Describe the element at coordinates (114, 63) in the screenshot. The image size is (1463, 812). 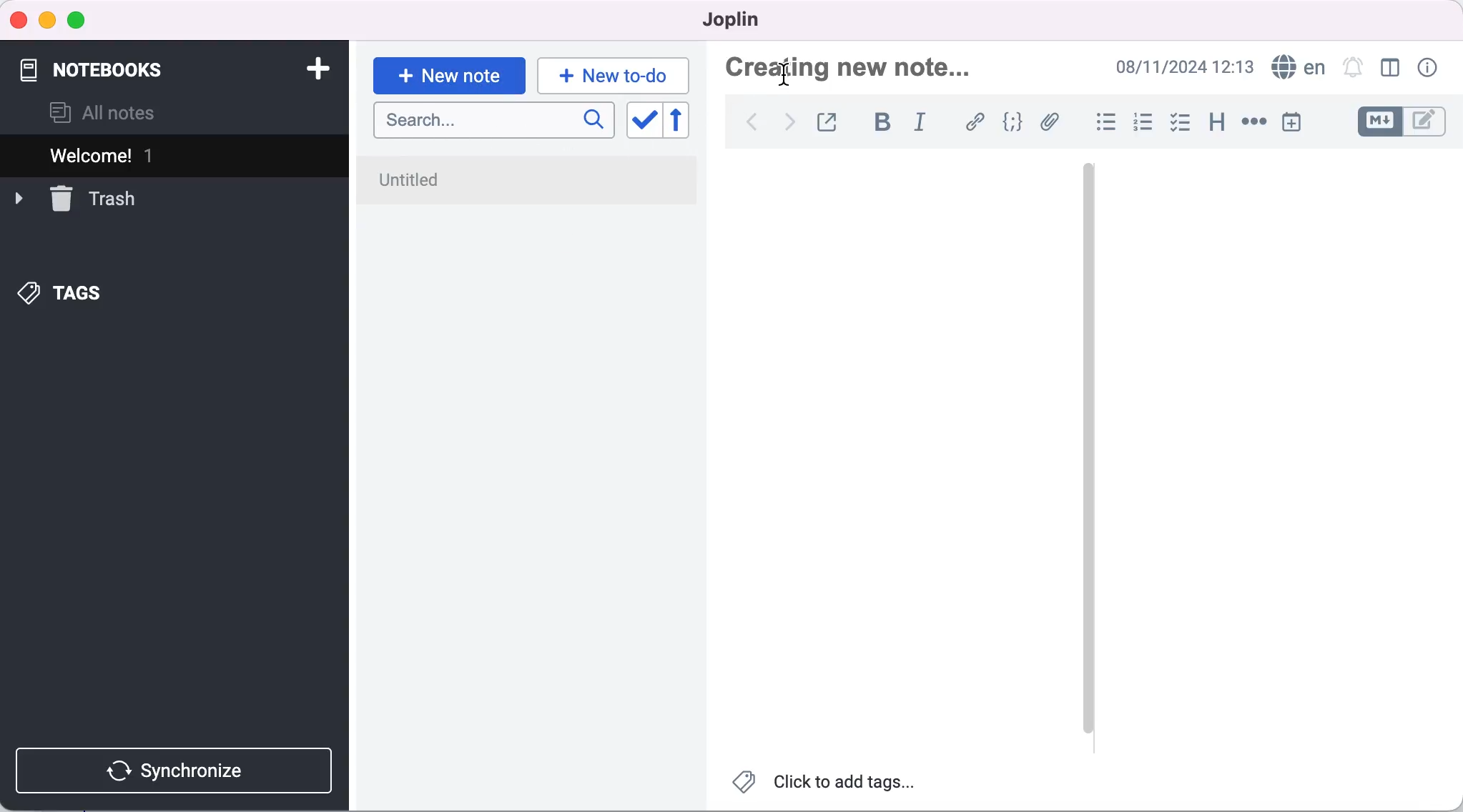
I see `notebooks` at that location.